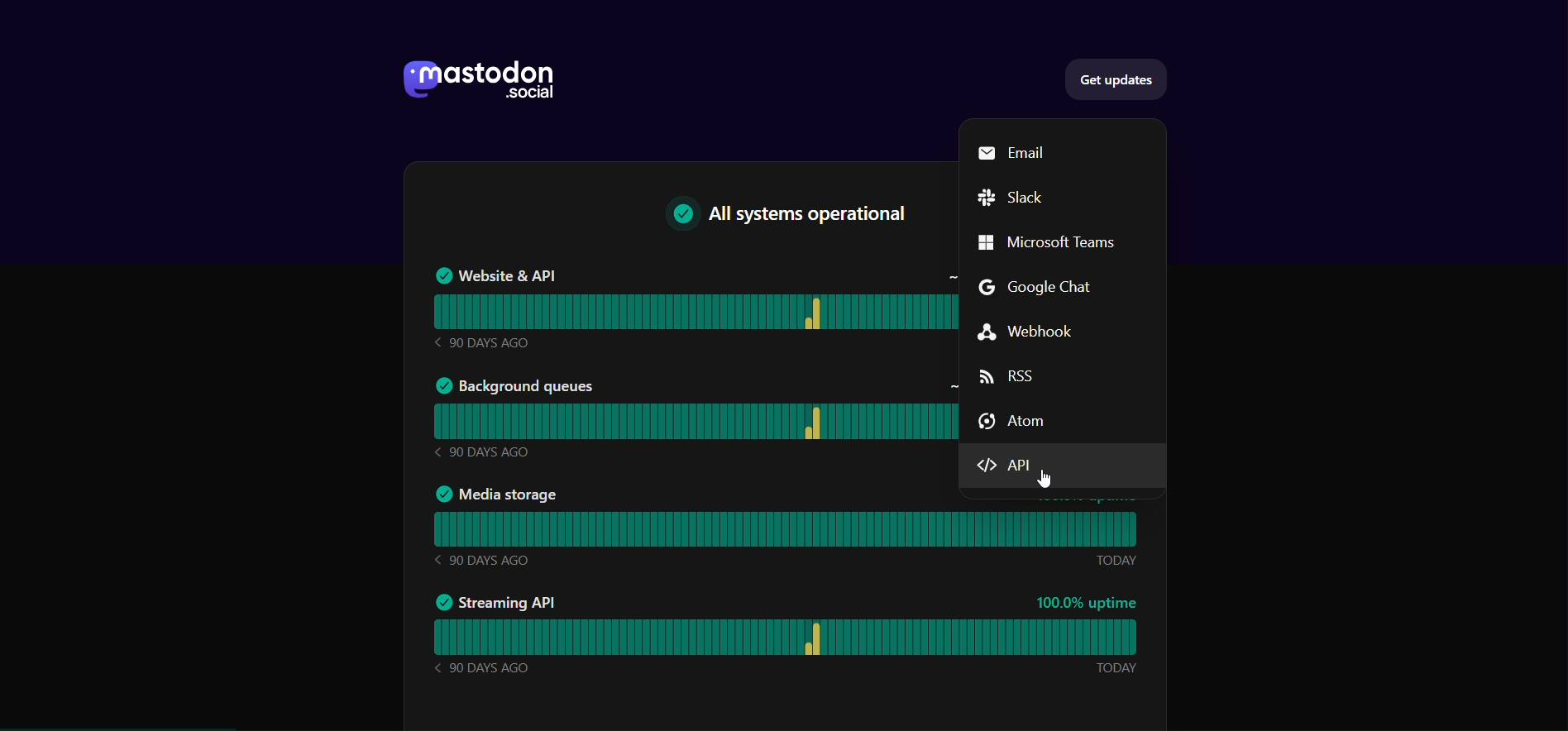  Describe the element at coordinates (778, 216) in the screenshot. I see `All System operational` at that location.